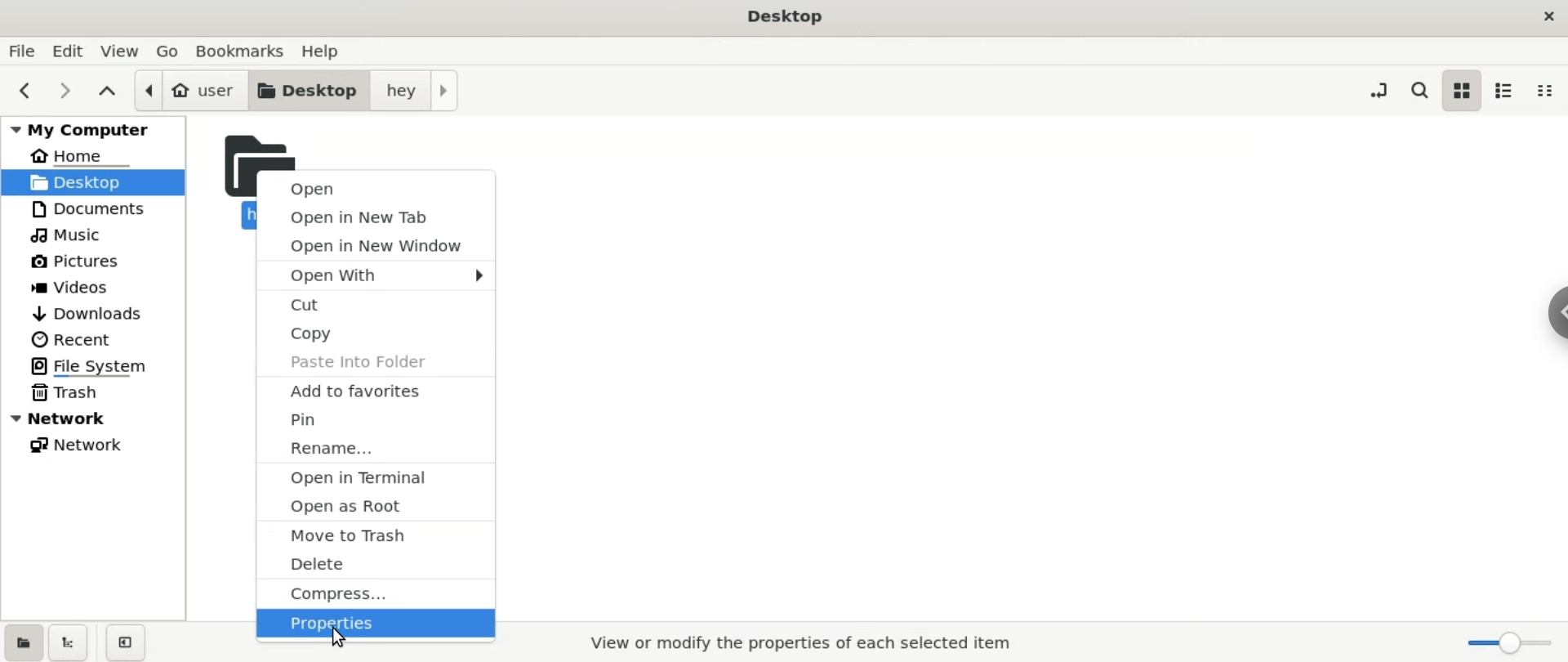 The width and height of the screenshot is (1568, 662). What do you see at coordinates (1462, 91) in the screenshot?
I see `icon view` at bounding box center [1462, 91].